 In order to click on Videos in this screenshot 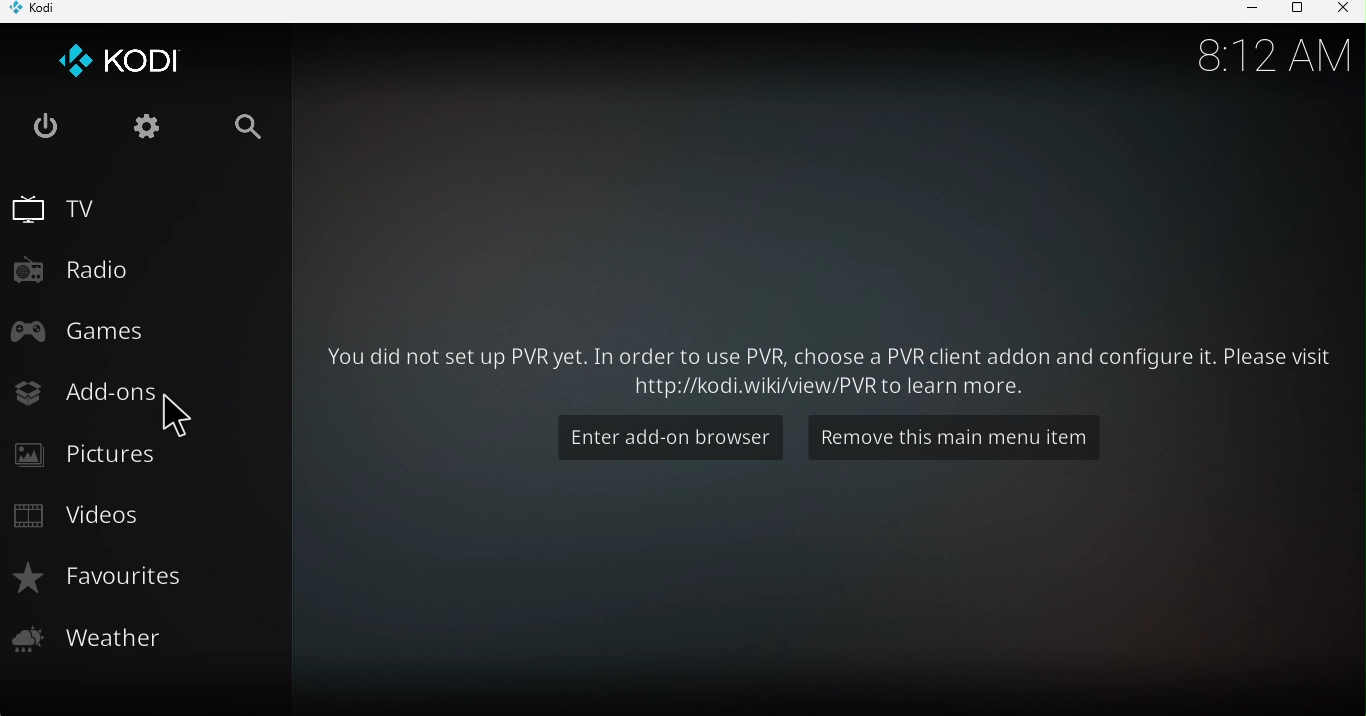, I will do `click(84, 514)`.